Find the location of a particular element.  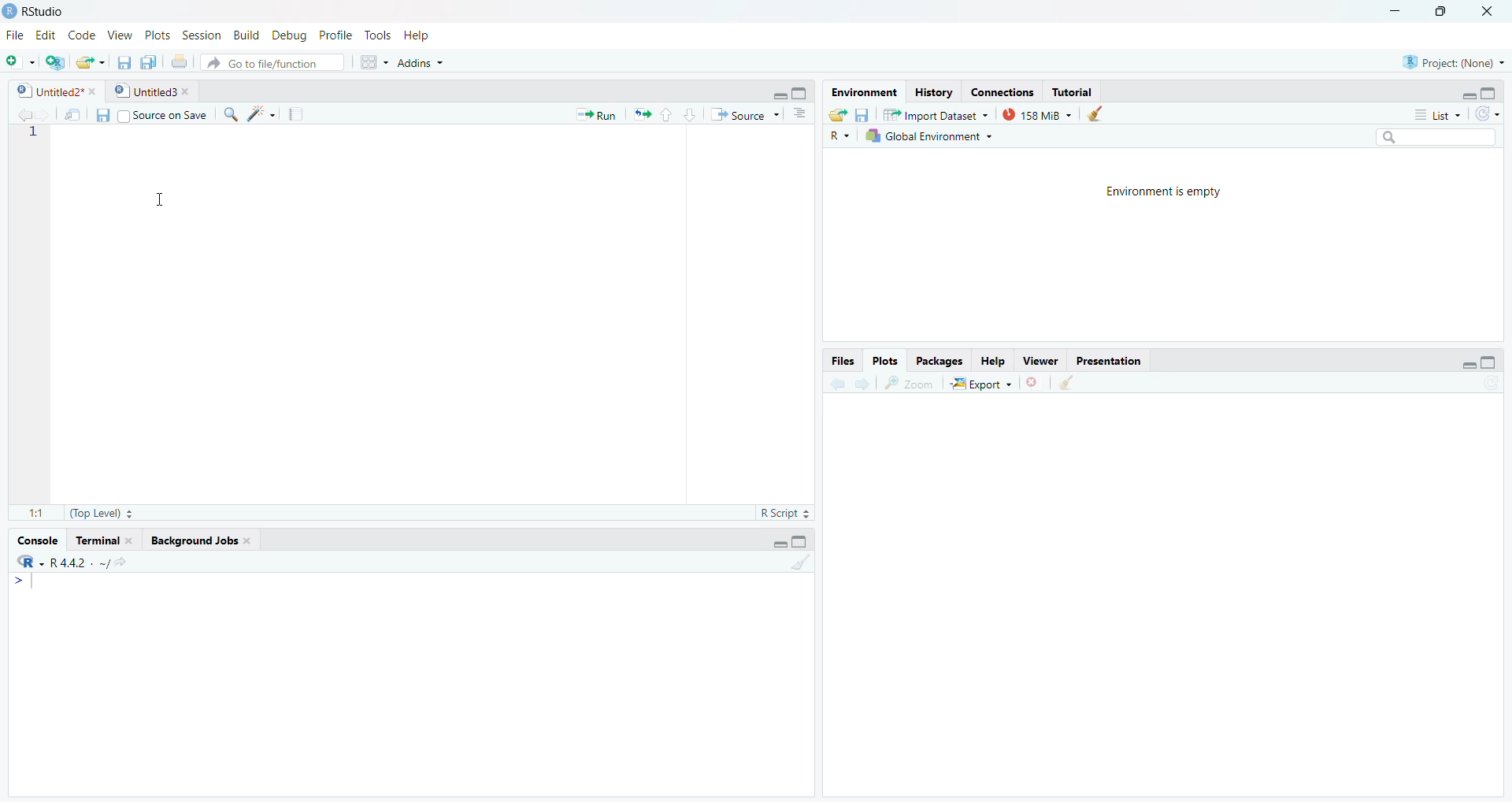

Environment is located at coordinates (863, 91).